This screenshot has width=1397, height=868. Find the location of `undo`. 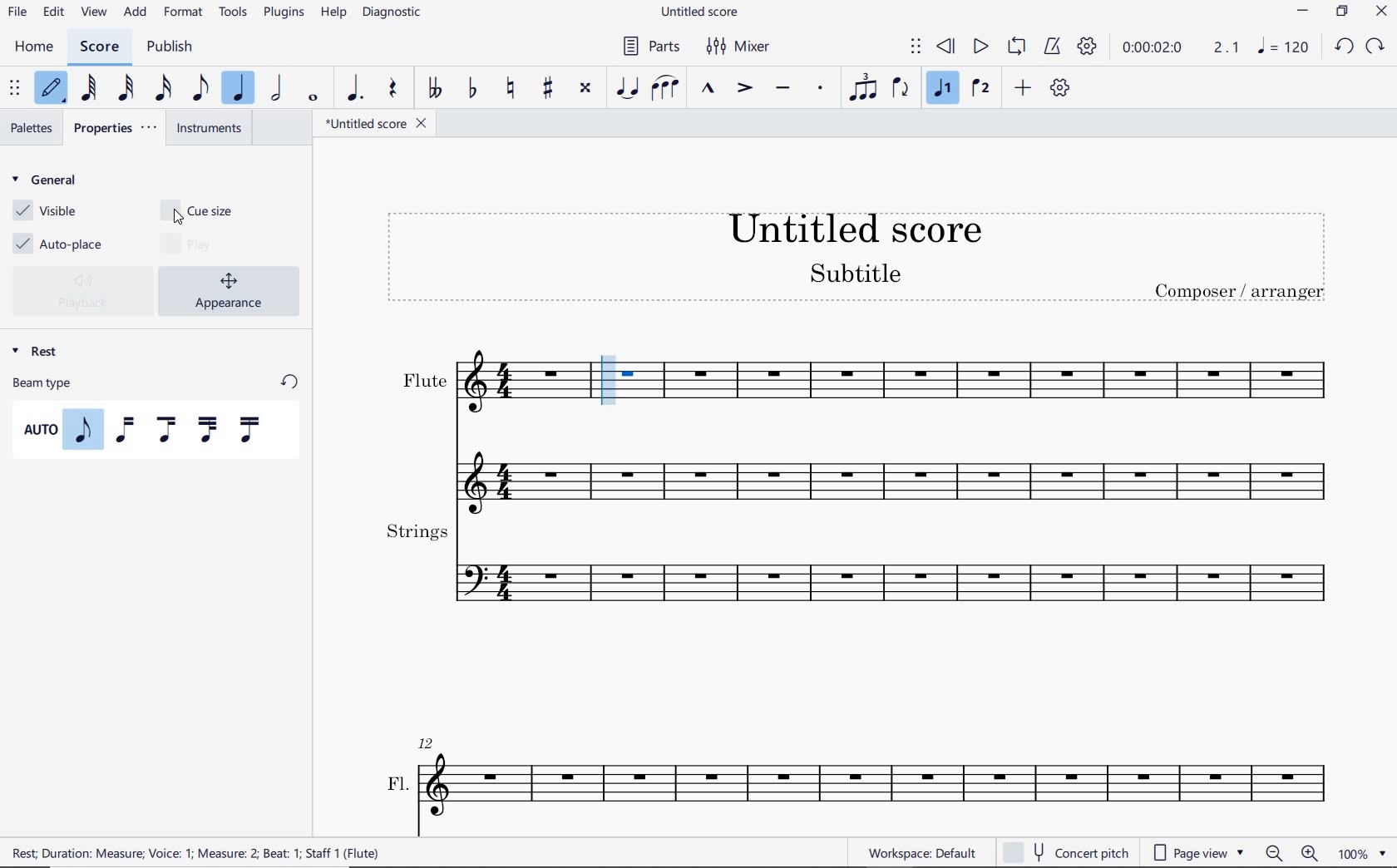

undo is located at coordinates (1343, 45).